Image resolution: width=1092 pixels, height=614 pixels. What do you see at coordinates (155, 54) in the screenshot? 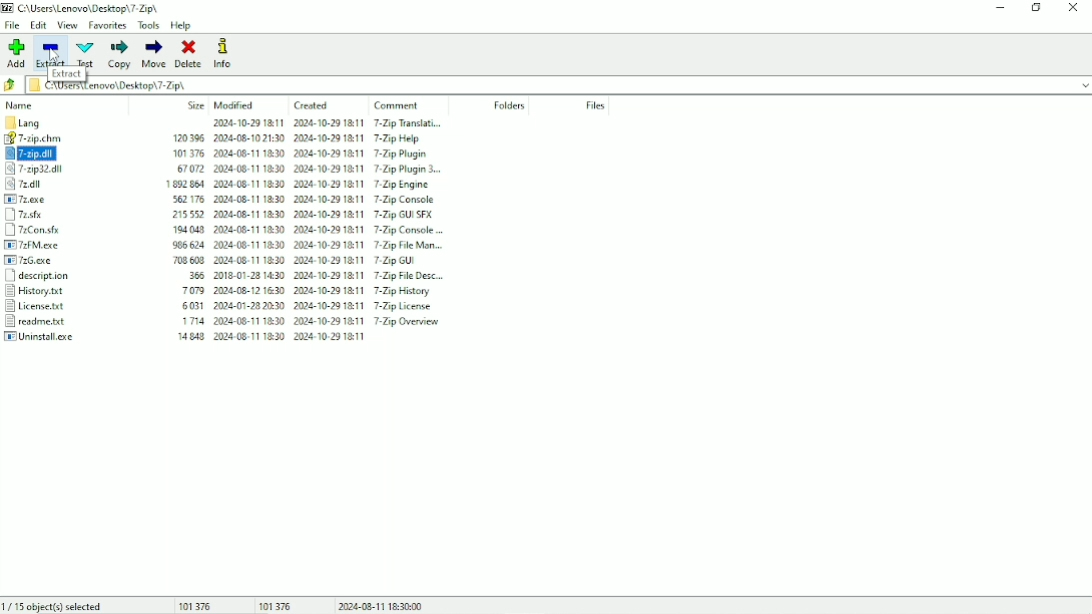
I see `Move` at bounding box center [155, 54].